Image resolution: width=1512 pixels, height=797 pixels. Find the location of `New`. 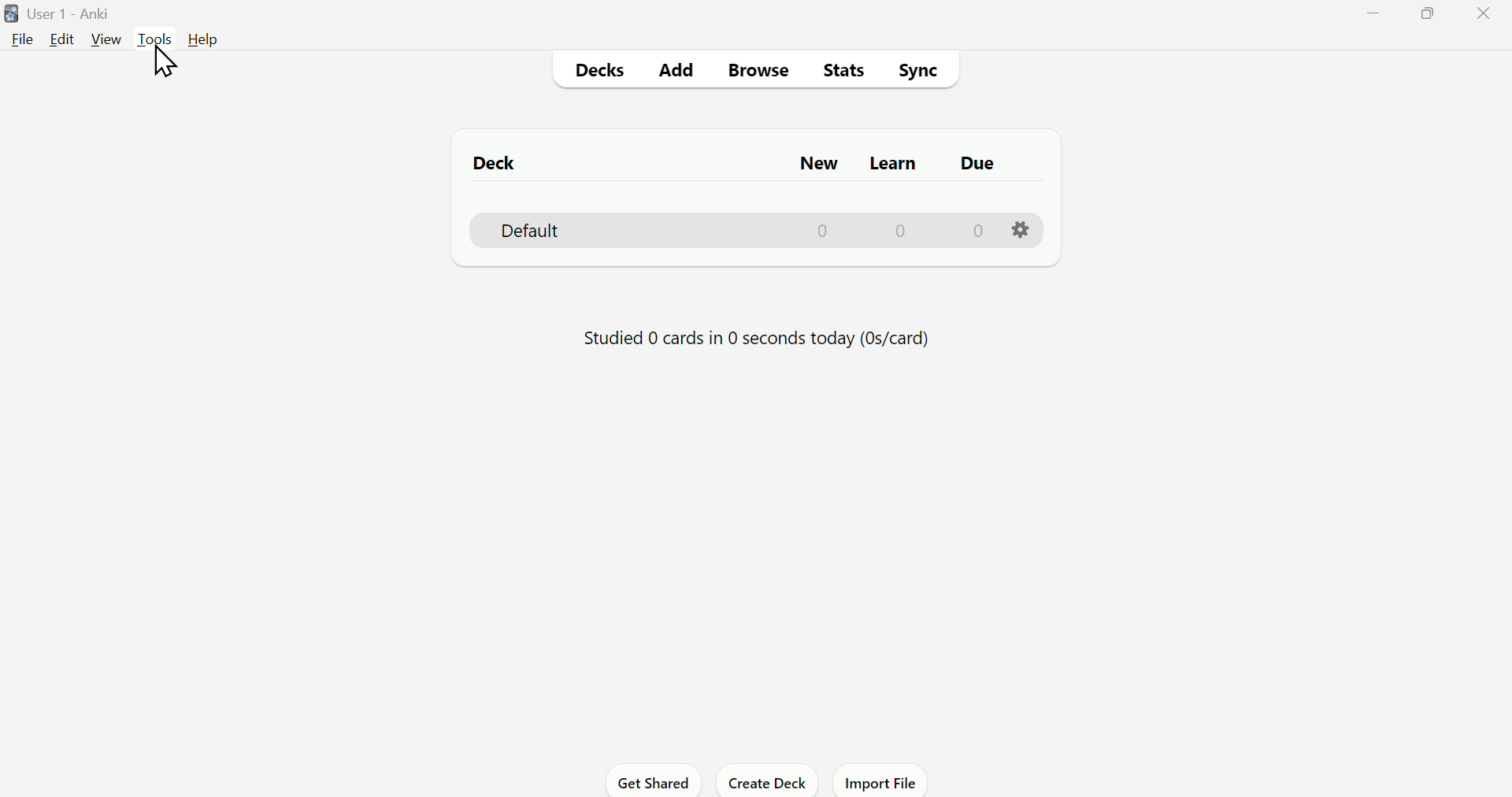

New is located at coordinates (827, 161).